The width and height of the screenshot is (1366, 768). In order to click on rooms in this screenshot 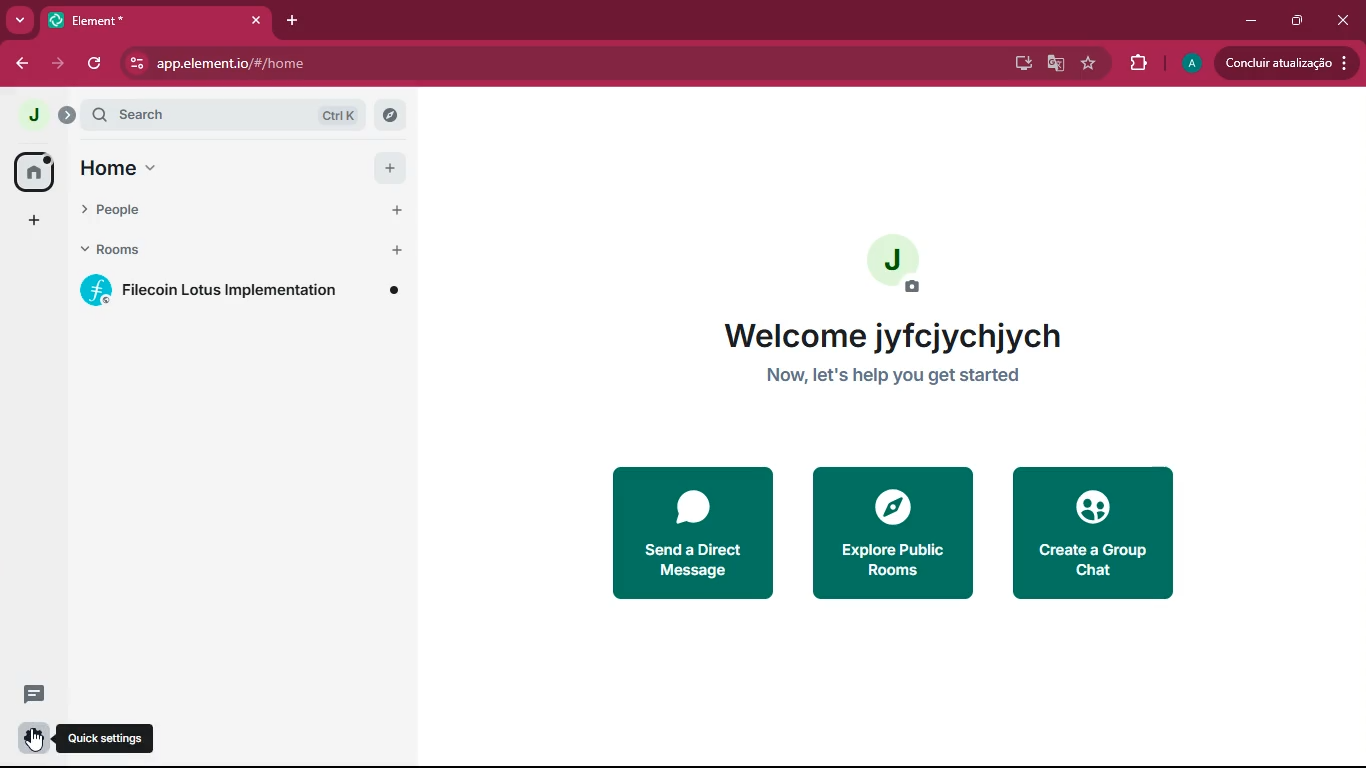, I will do `click(184, 249)`.